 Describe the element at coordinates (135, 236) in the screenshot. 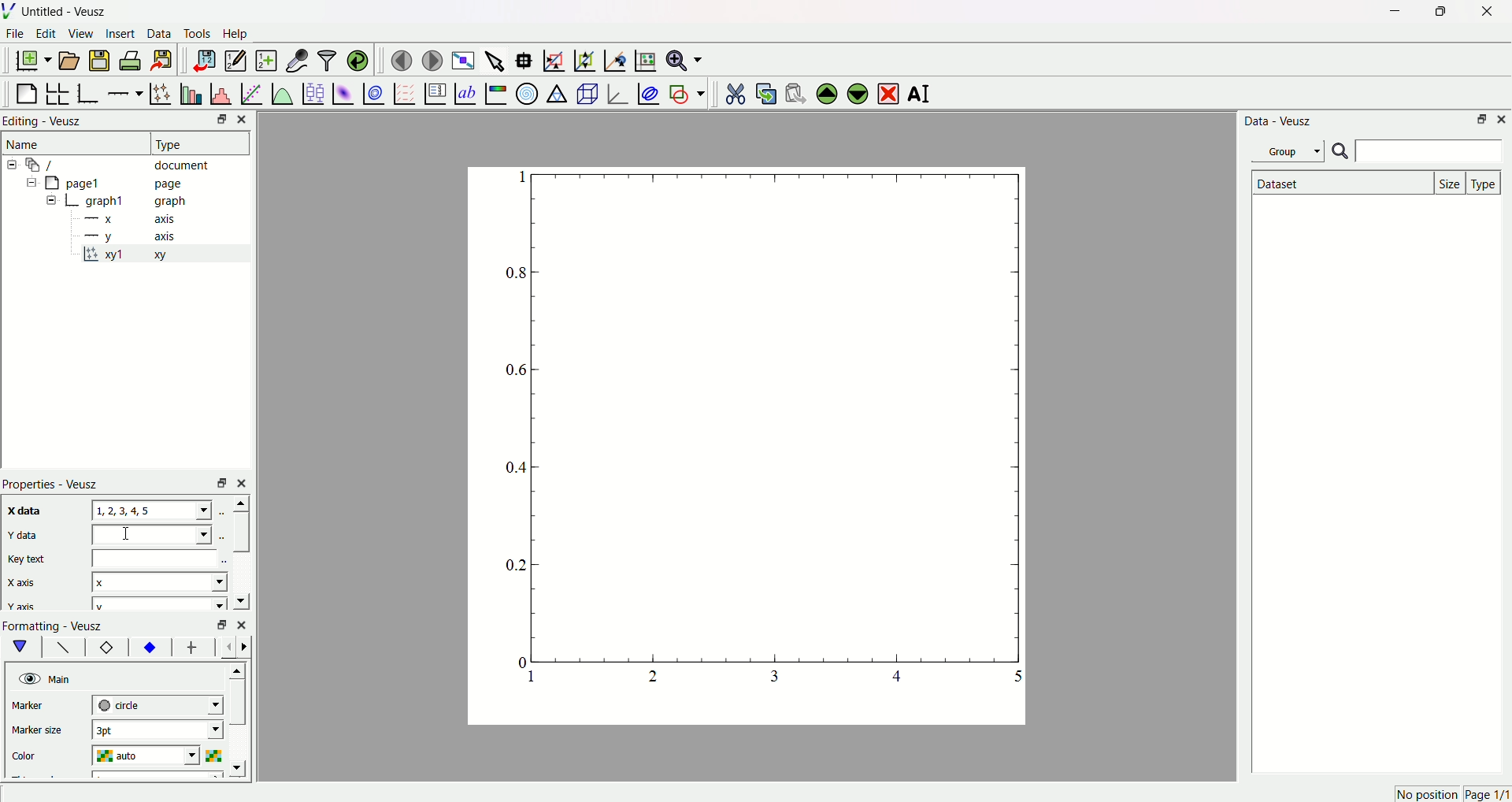

I see `y axis` at that location.